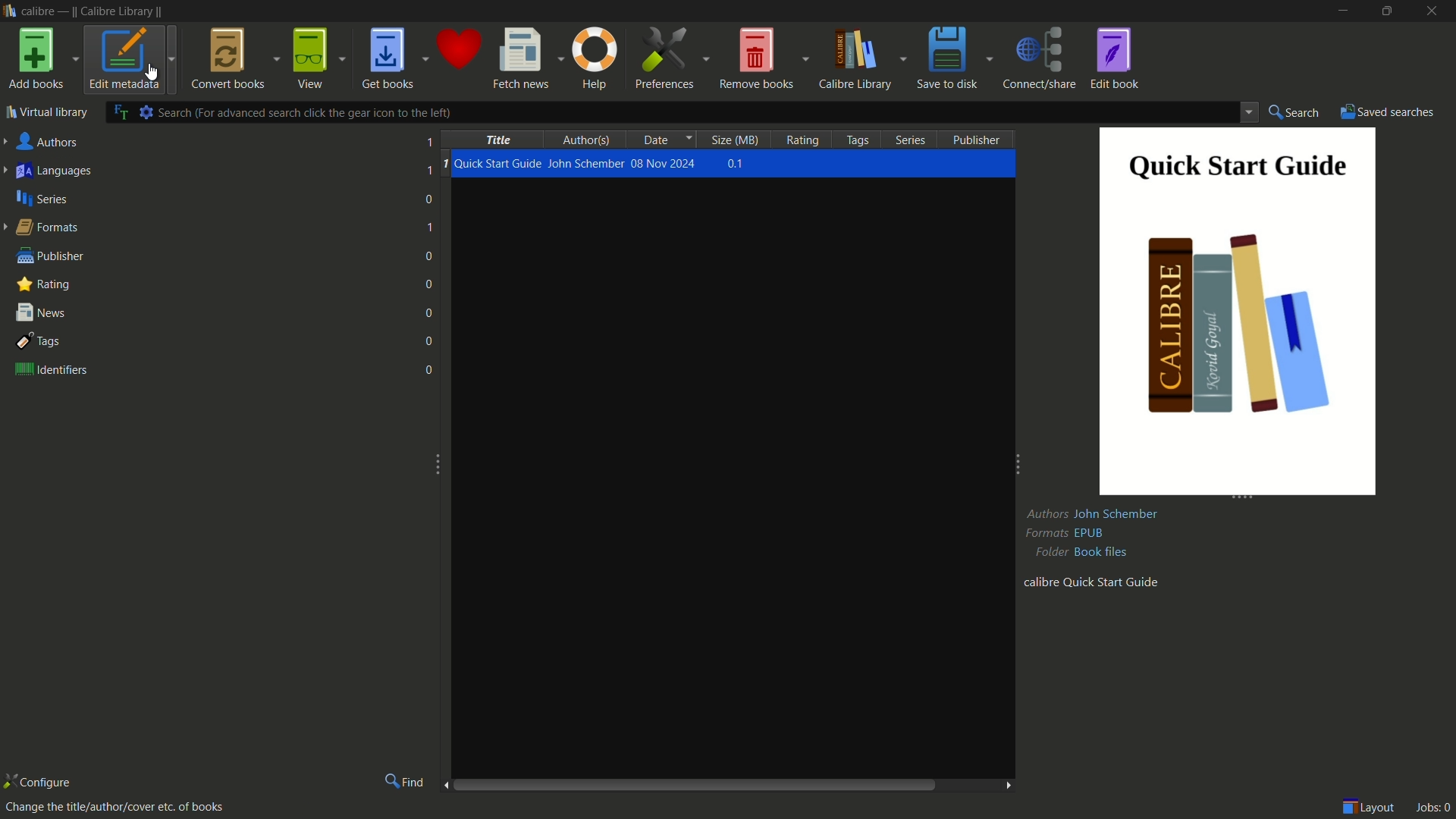 This screenshot has height=819, width=1456. Describe the element at coordinates (1436, 808) in the screenshot. I see `jobs` at that location.